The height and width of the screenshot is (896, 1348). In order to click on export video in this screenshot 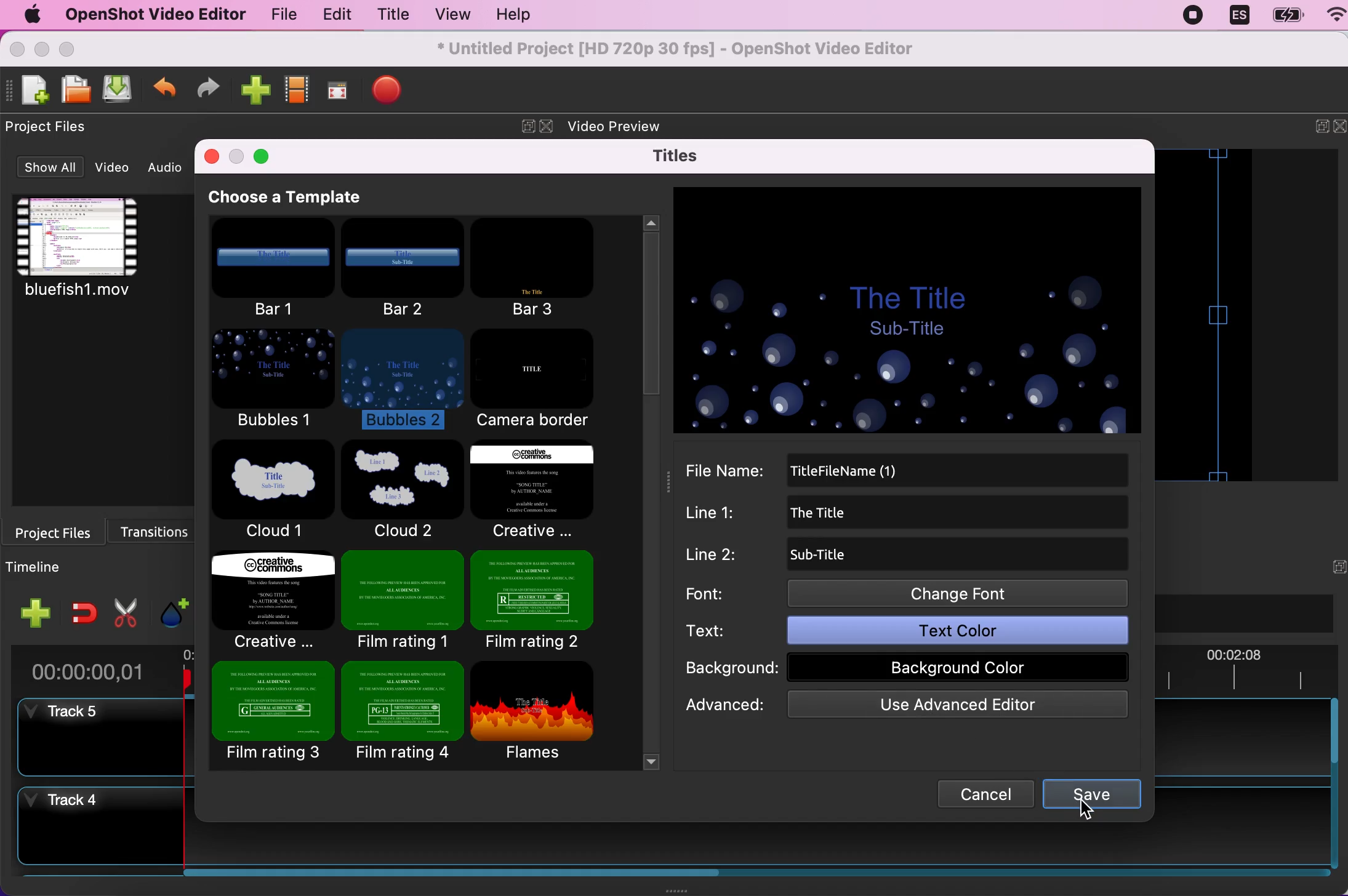, I will do `click(388, 92)`.